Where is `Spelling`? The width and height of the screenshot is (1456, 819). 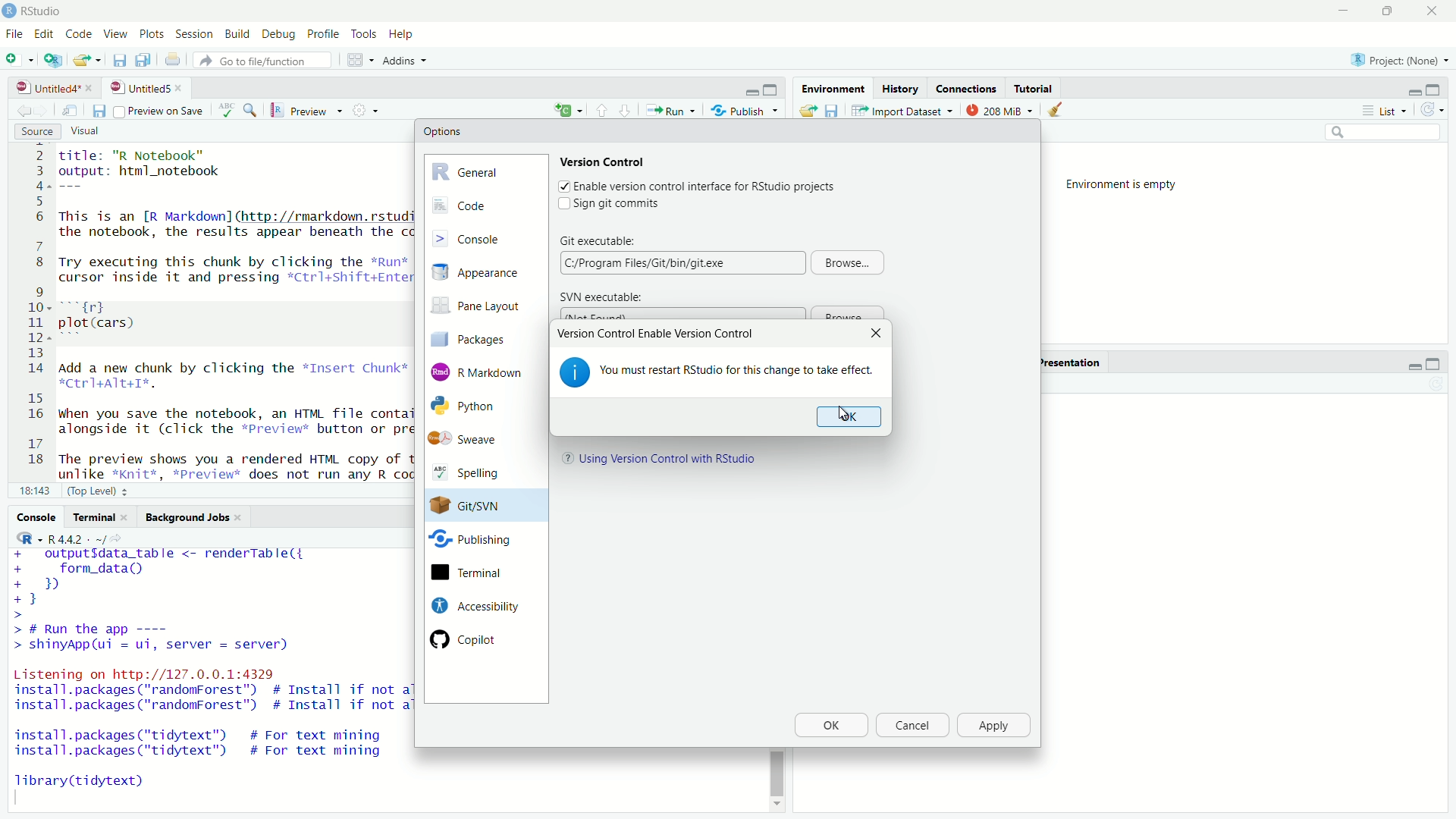 Spelling is located at coordinates (475, 474).